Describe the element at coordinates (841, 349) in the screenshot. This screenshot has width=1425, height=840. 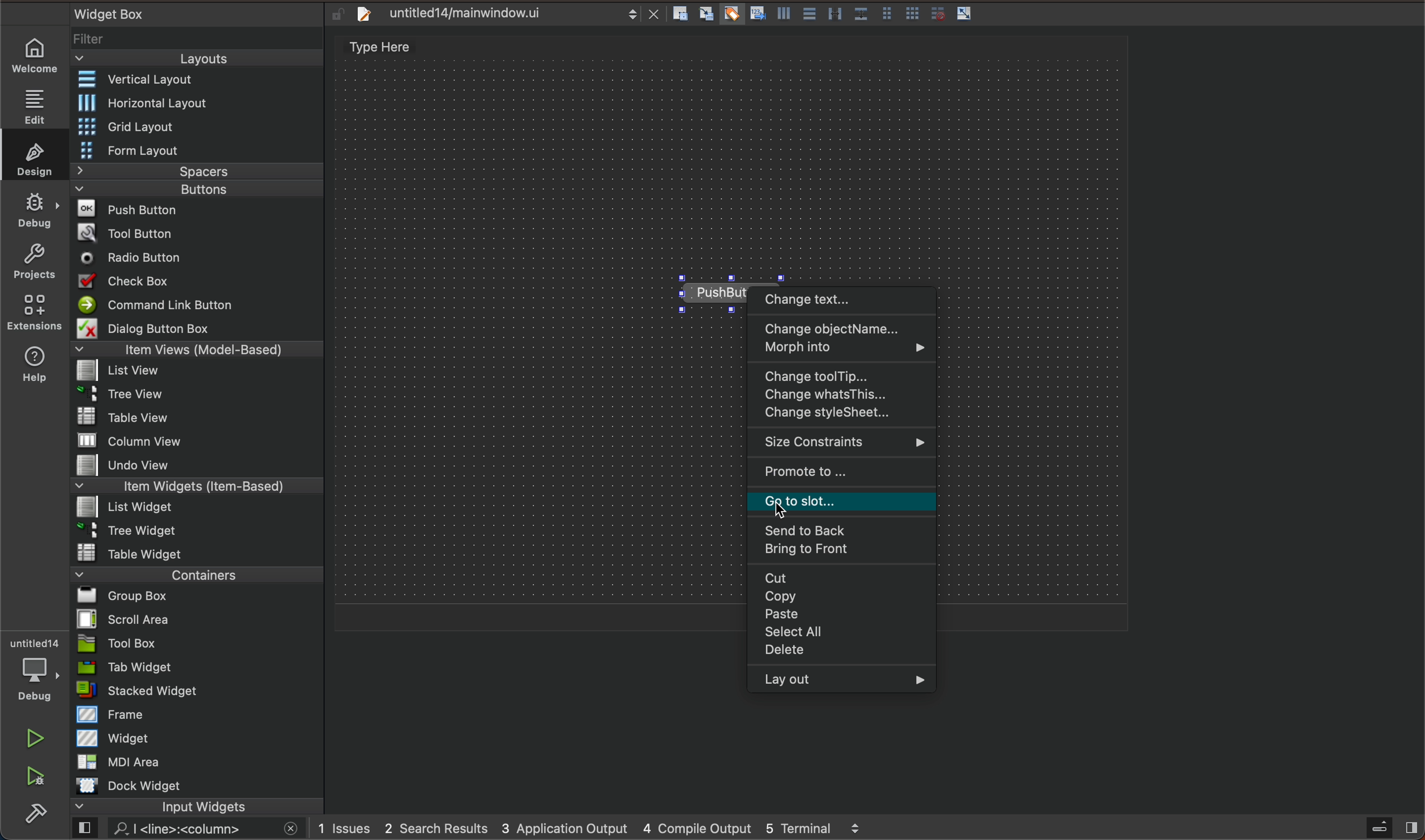
I see `morph into` at that location.